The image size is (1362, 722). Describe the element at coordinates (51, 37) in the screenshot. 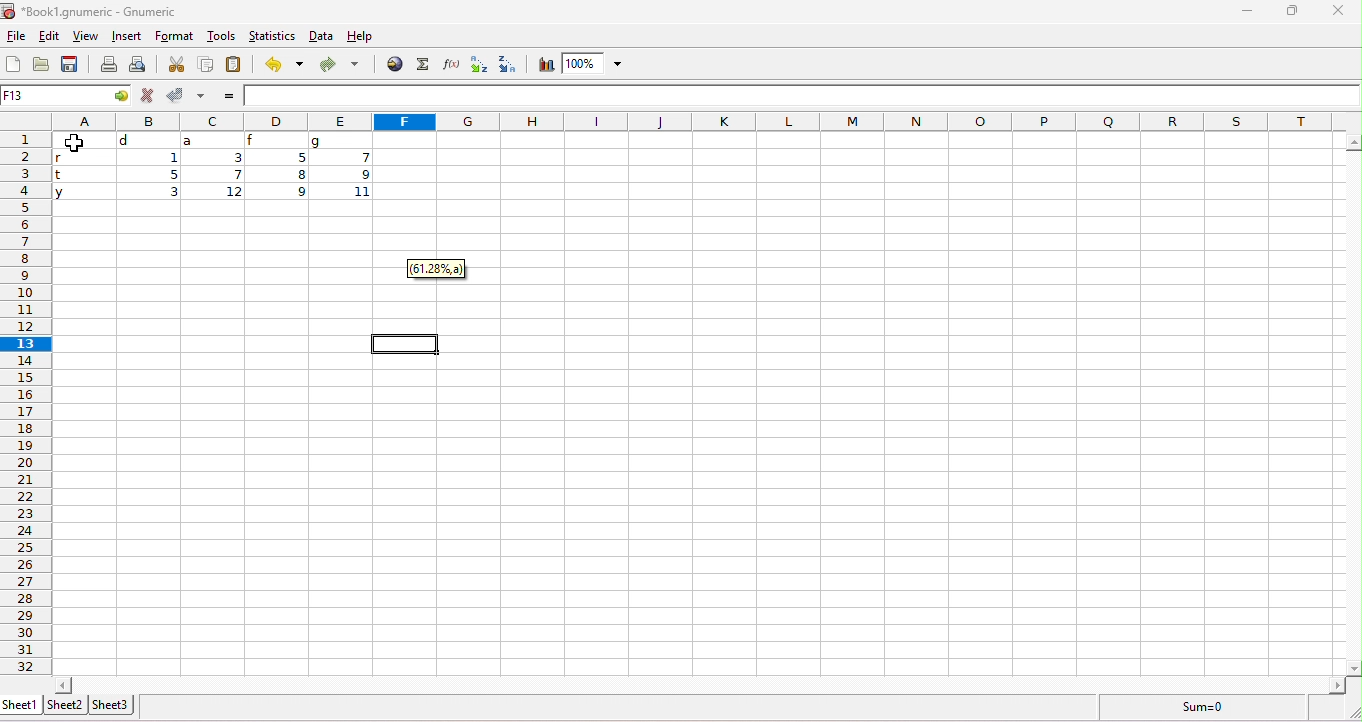

I see `edit` at that location.